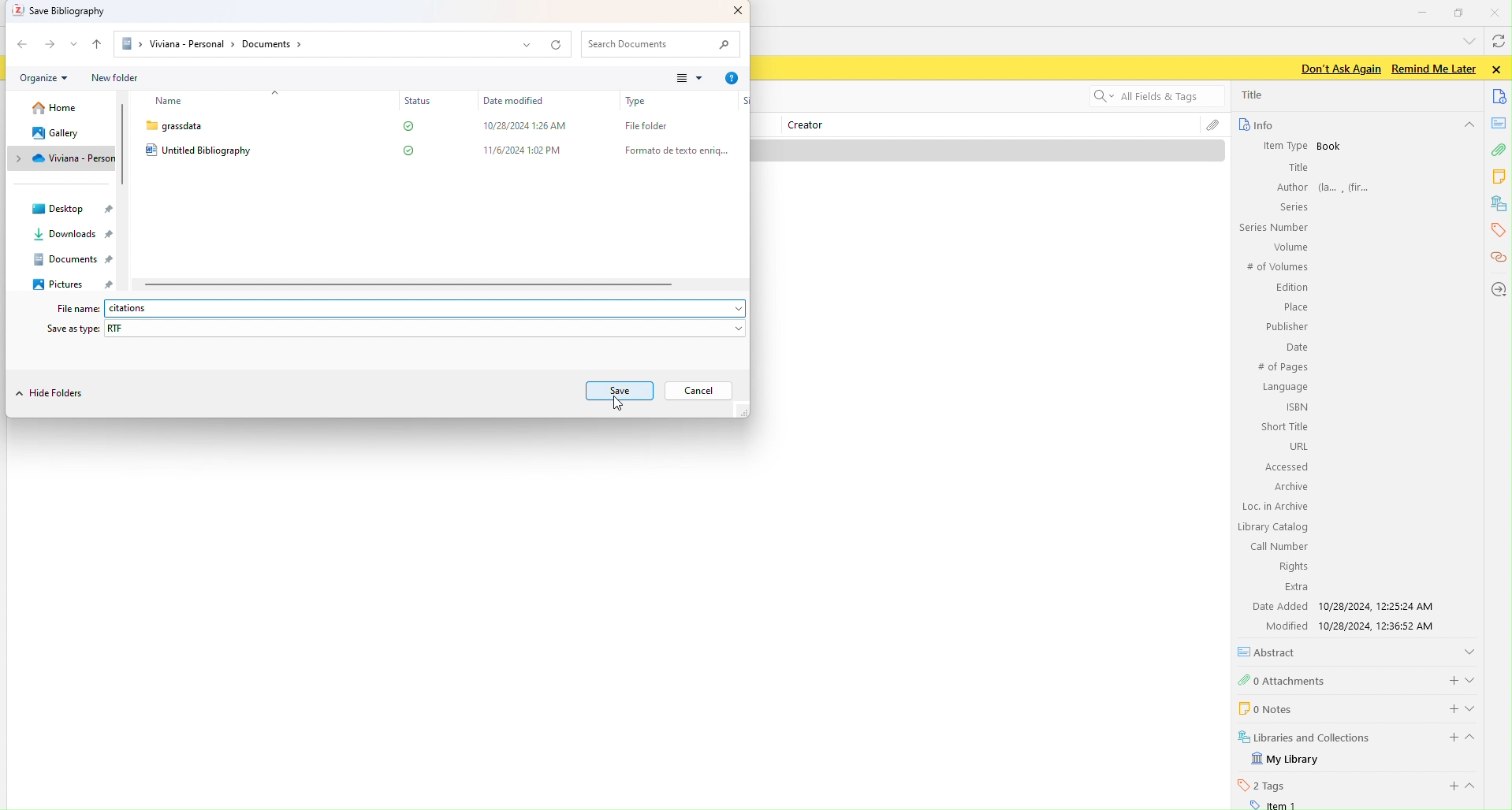 The width and height of the screenshot is (1512, 810). What do you see at coordinates (76, 208) in the screenshot?
I see `Desktop` at bounding box center [76, 208].